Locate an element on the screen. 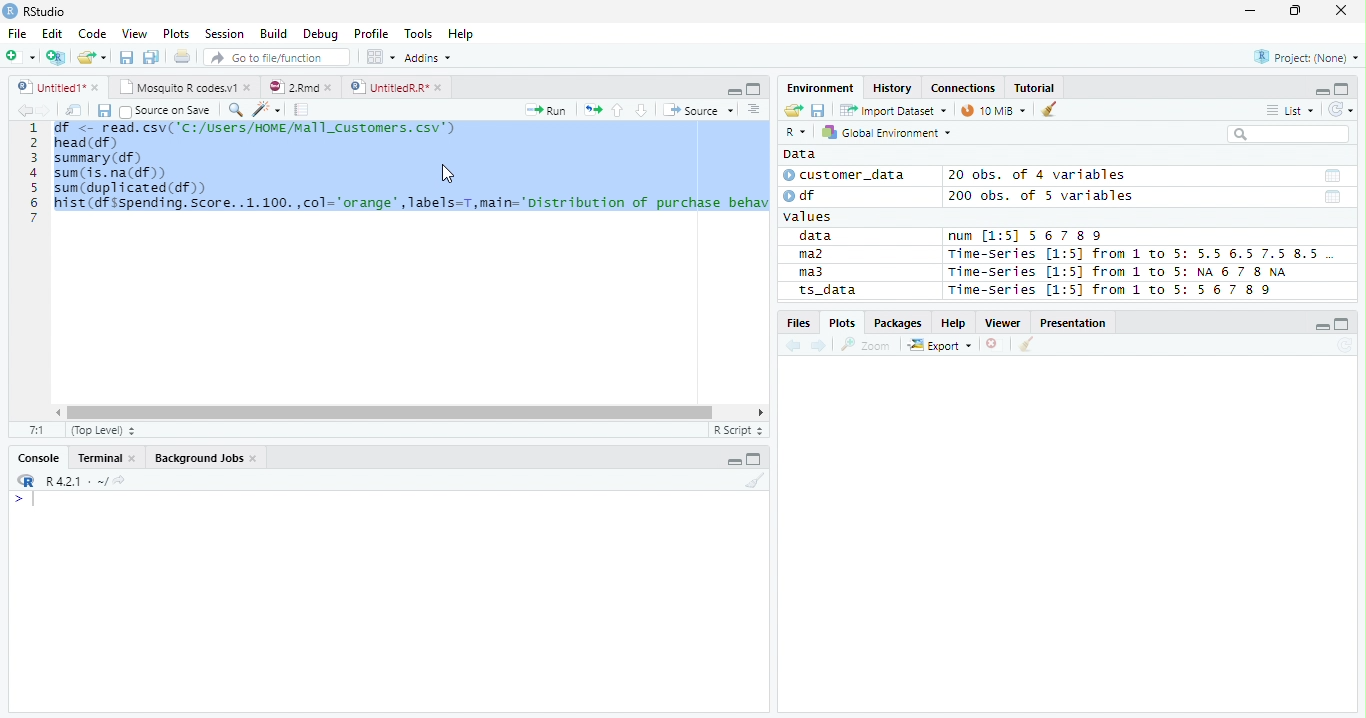 This screenshot has width=1366, height=718. Show in new window is located at coordinates (75, 110).